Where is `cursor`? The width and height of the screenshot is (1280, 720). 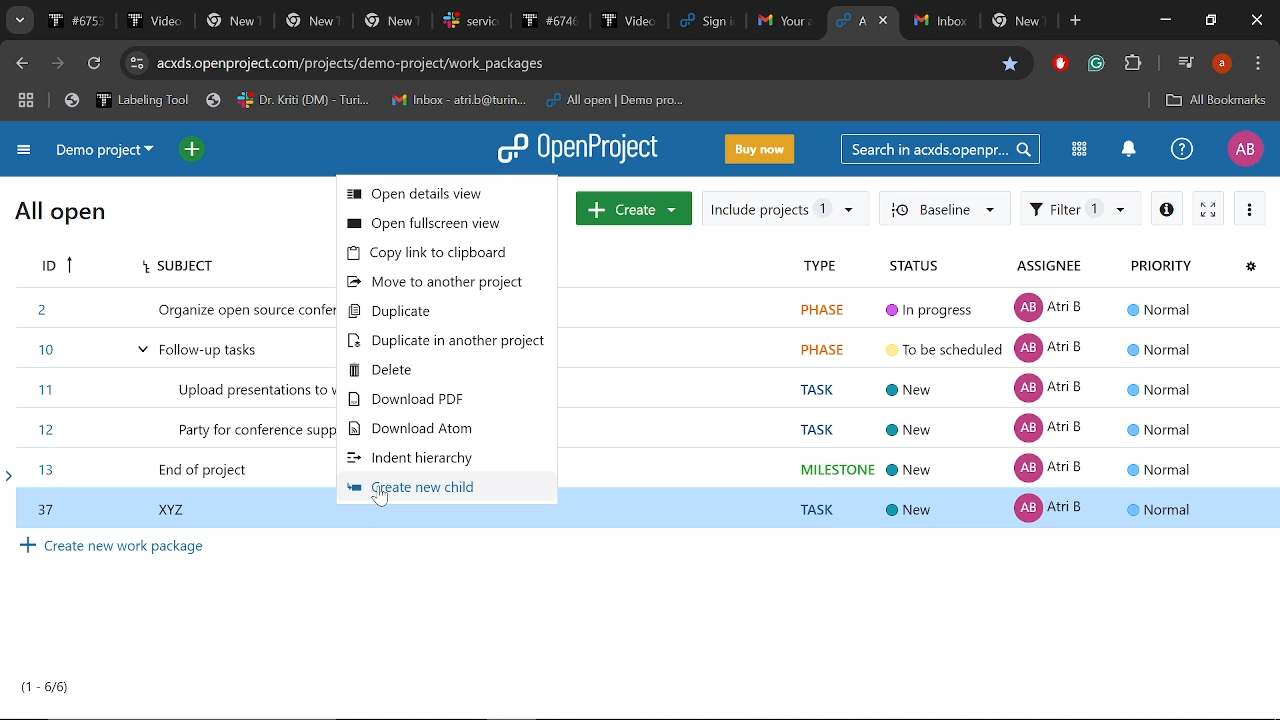 cursor is located at coordinates (381, 502).